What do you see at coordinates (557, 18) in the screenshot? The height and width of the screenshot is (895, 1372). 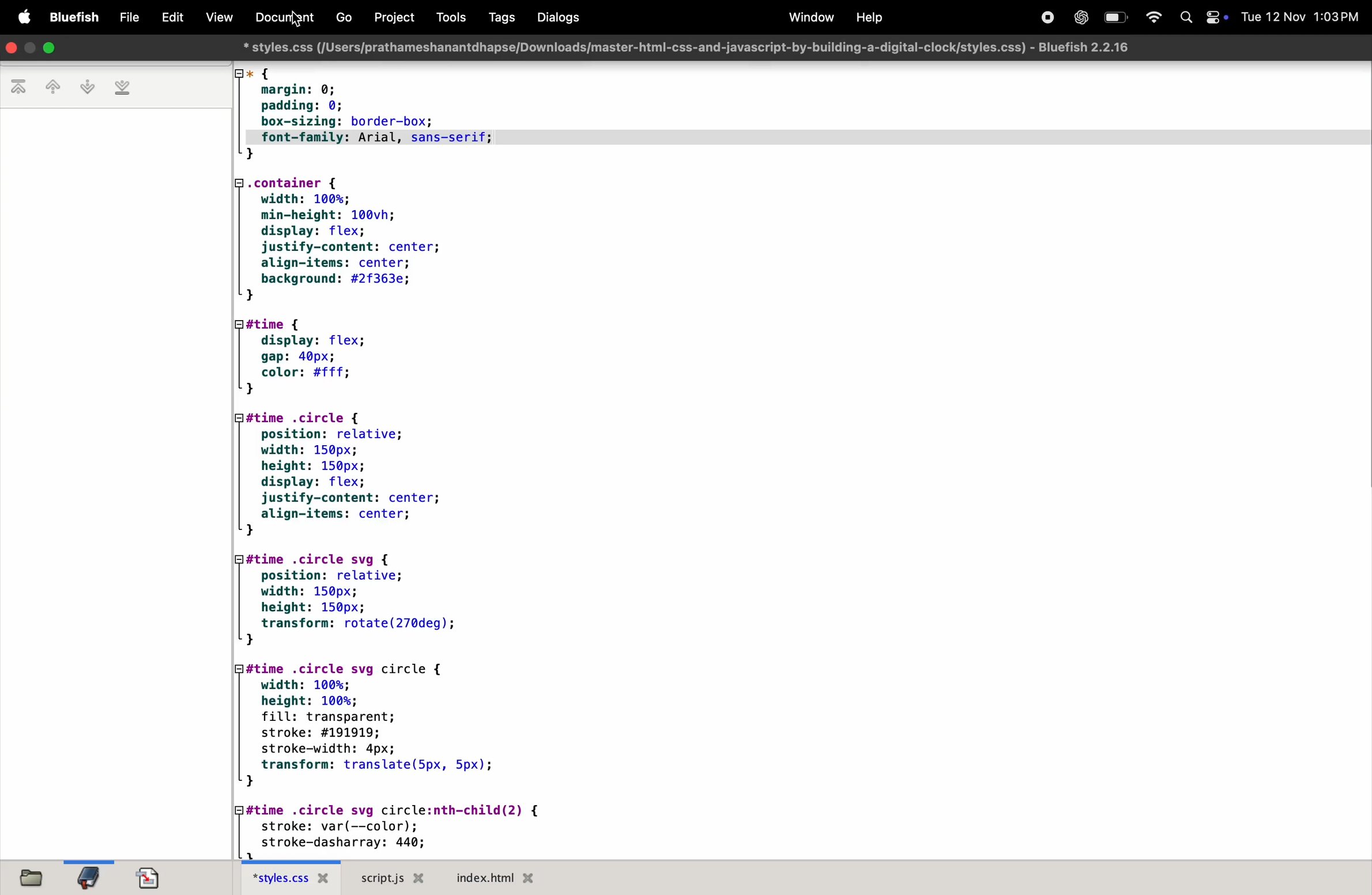 I see `Dialogs` at bounding box center [557, 18].